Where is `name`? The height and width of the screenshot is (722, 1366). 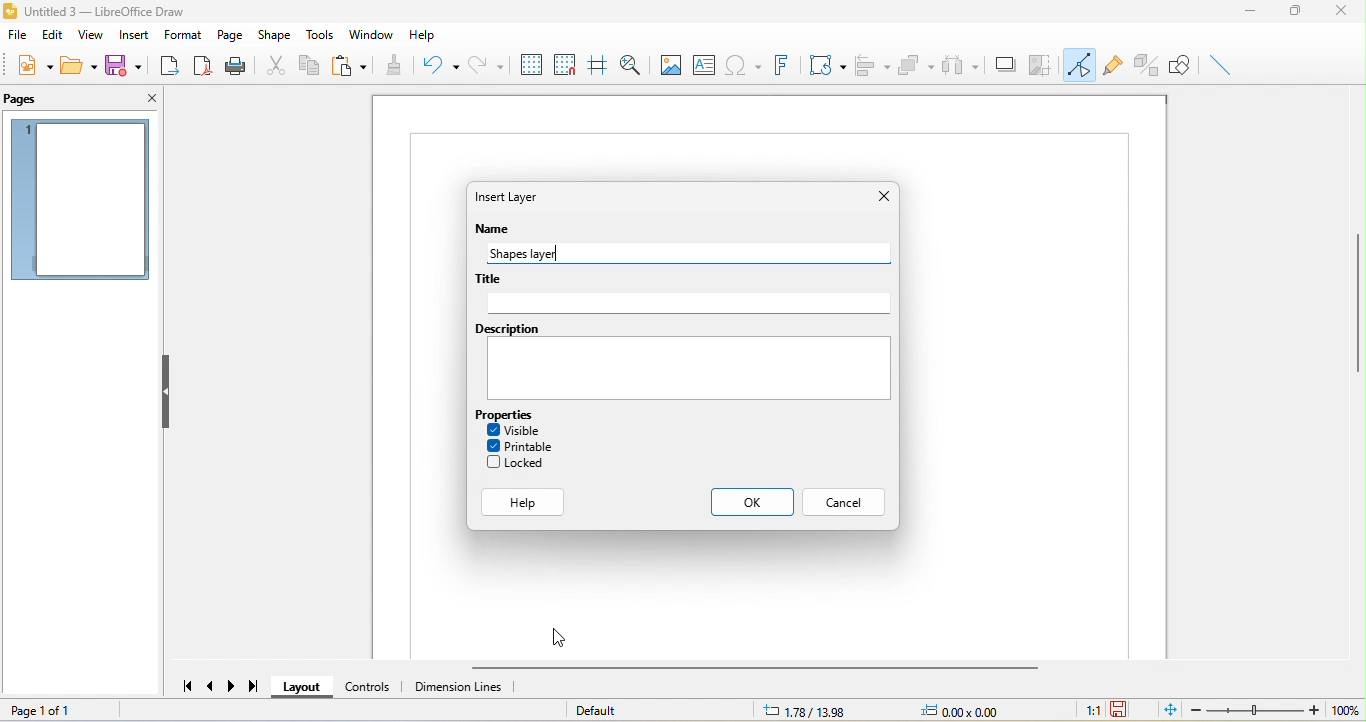
name is located at coordinates (497, 229).